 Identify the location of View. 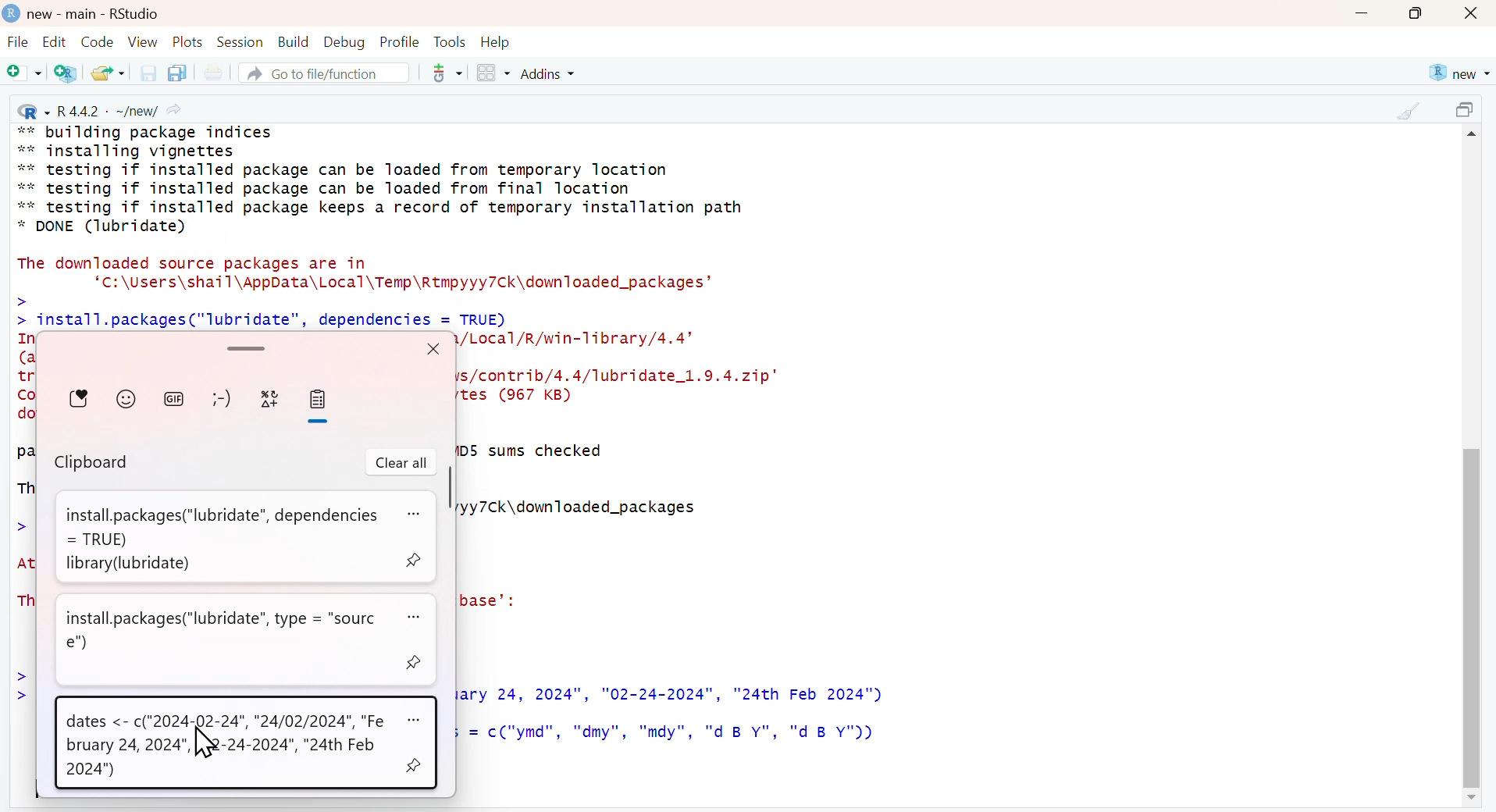
(143, 41).